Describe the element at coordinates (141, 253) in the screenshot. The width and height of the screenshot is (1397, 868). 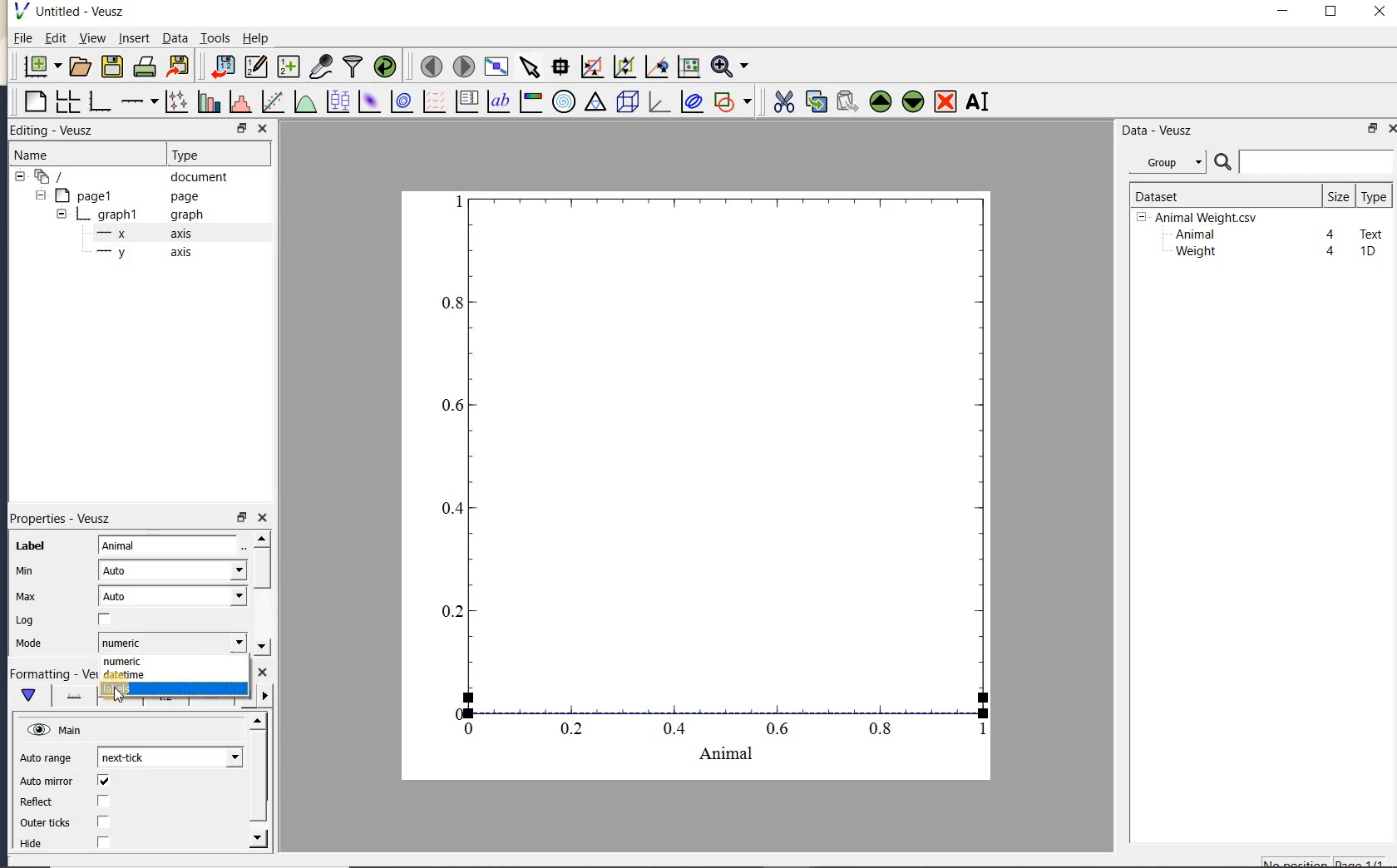
I see `axis` at that location.